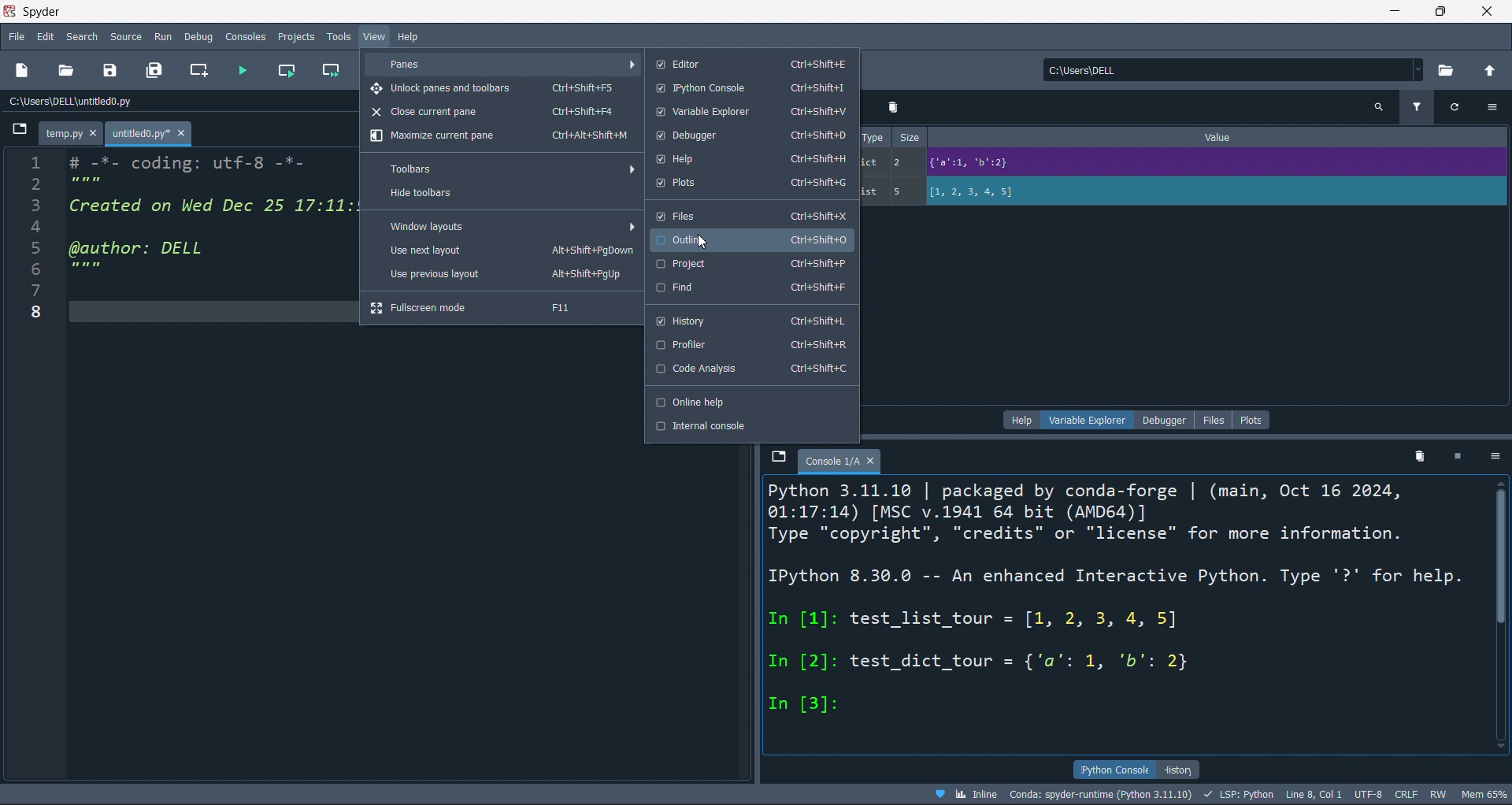 This screenshot has height=805, width=1512. Describe the element at coordinates (750, 135) in the screenshot. I see `debugger` at that location.